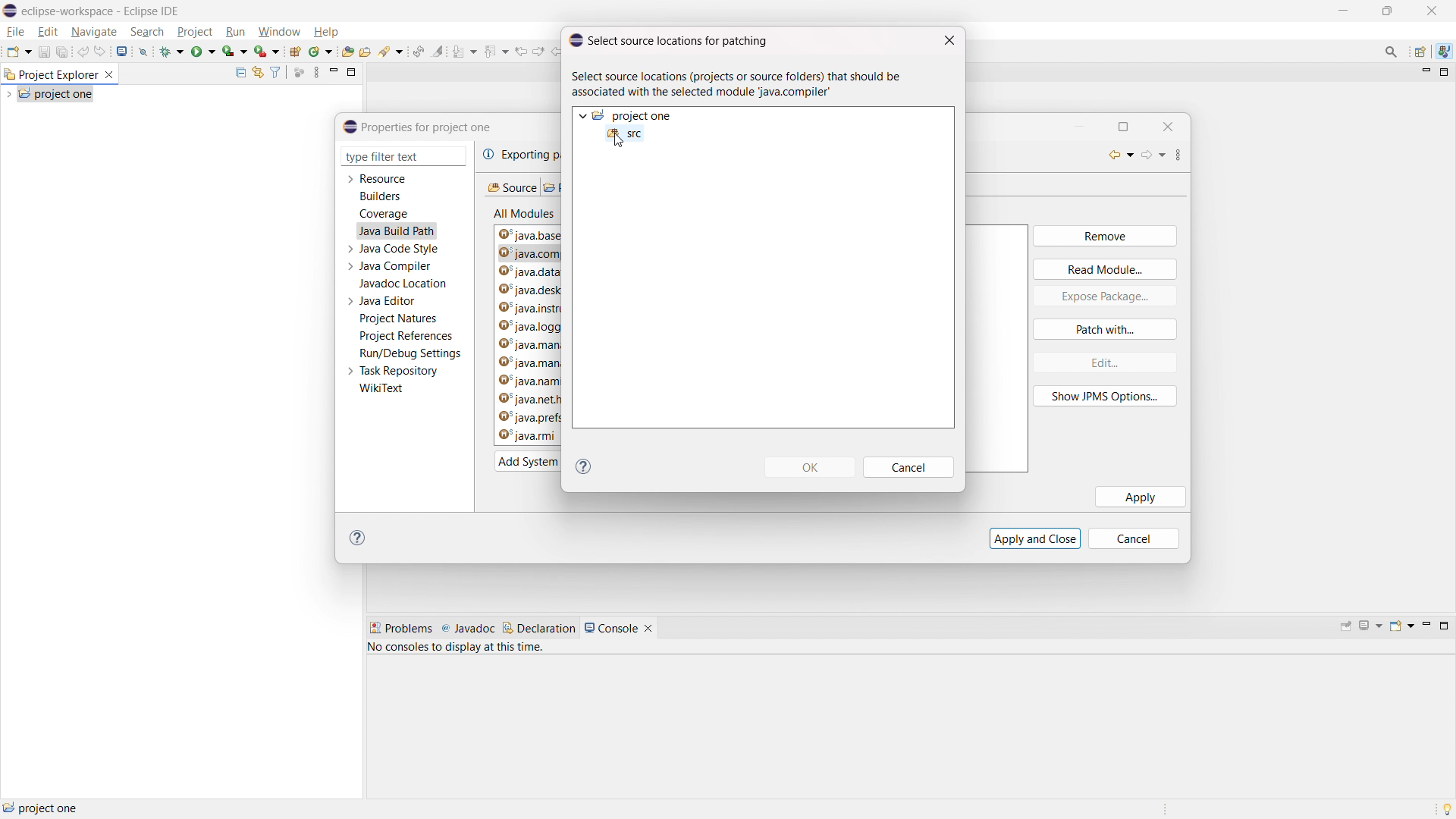 The image size is (1456, 819). Describe the element at coordinates (56, 93) in the screenshot. I see `project one` at that location.